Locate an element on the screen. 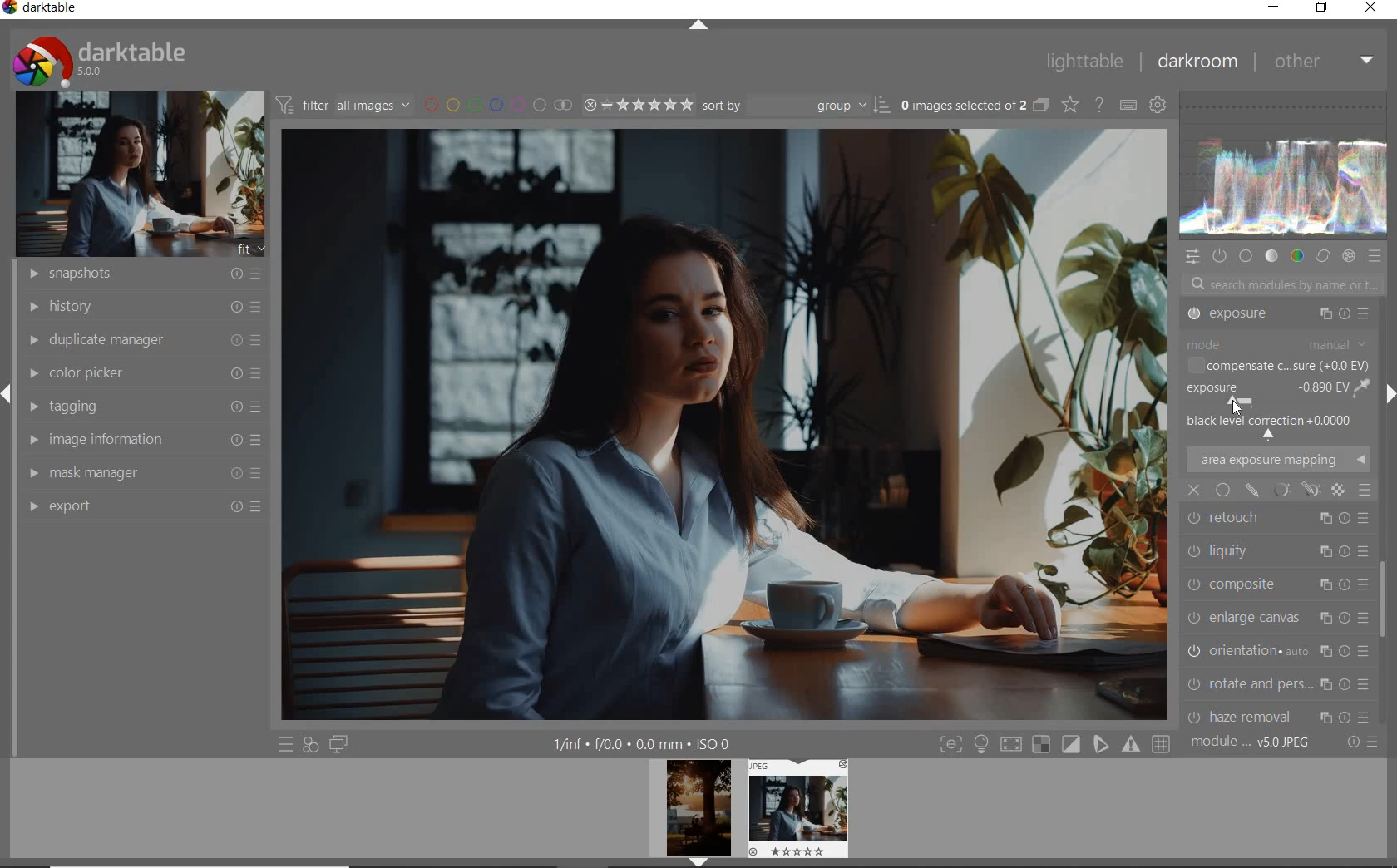 The image size is (1397, 868). HISTORY is located at coordinates (141, 308).